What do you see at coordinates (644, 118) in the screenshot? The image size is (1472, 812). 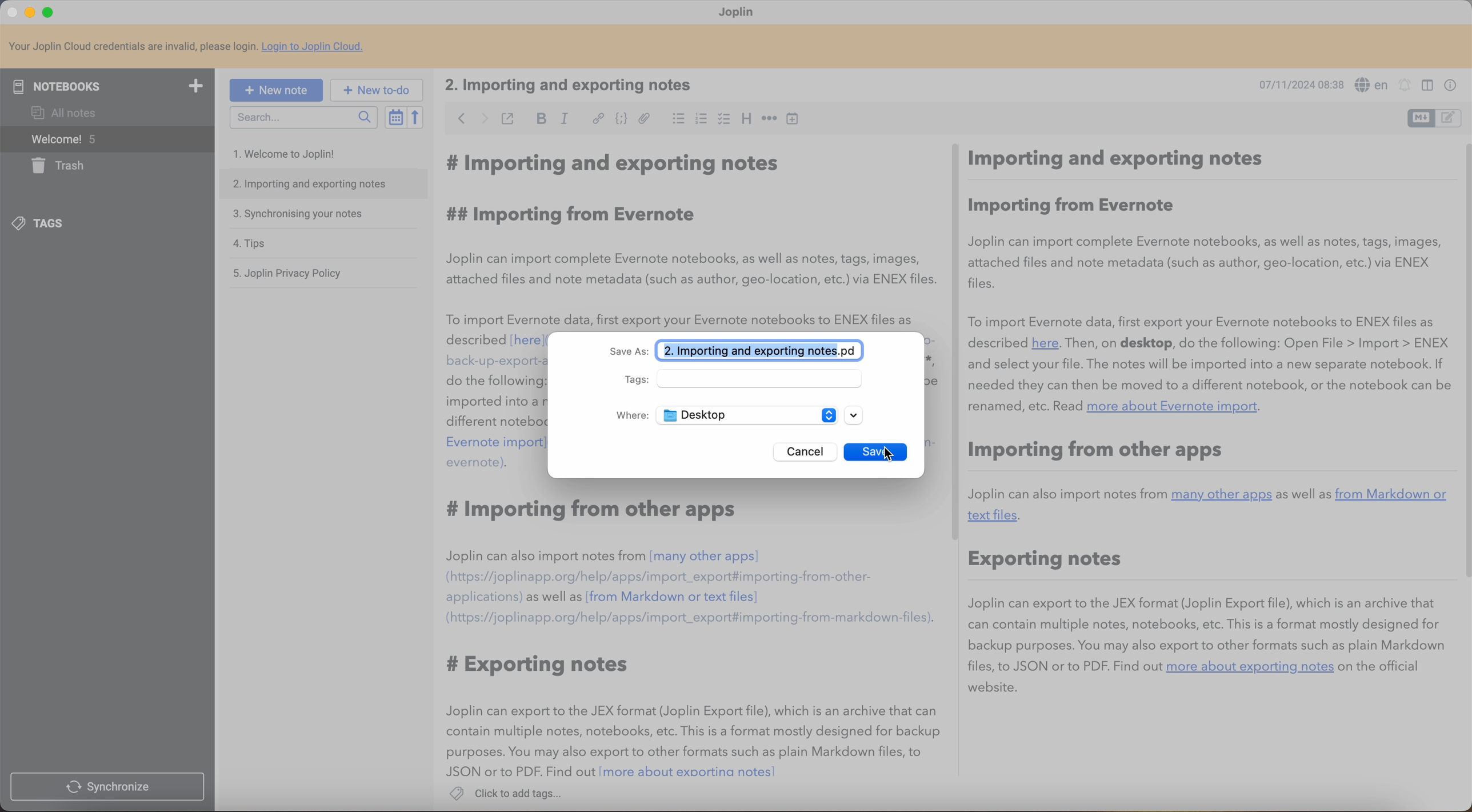 I see `attach file` at bounding box center [644, 118].